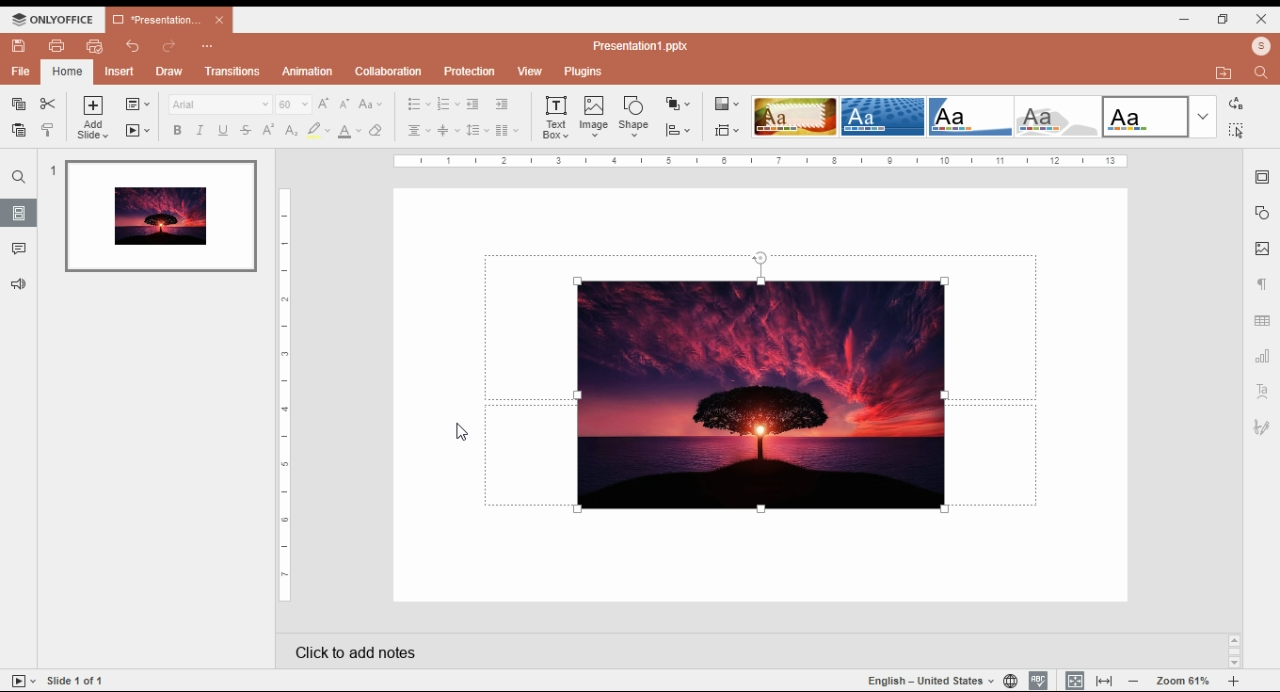 The height and width of the screenshot is (692, 1280). What do you see at coordinates (378, 131) in the screenshot?
I see `erase` at bounding box center [378, 131].